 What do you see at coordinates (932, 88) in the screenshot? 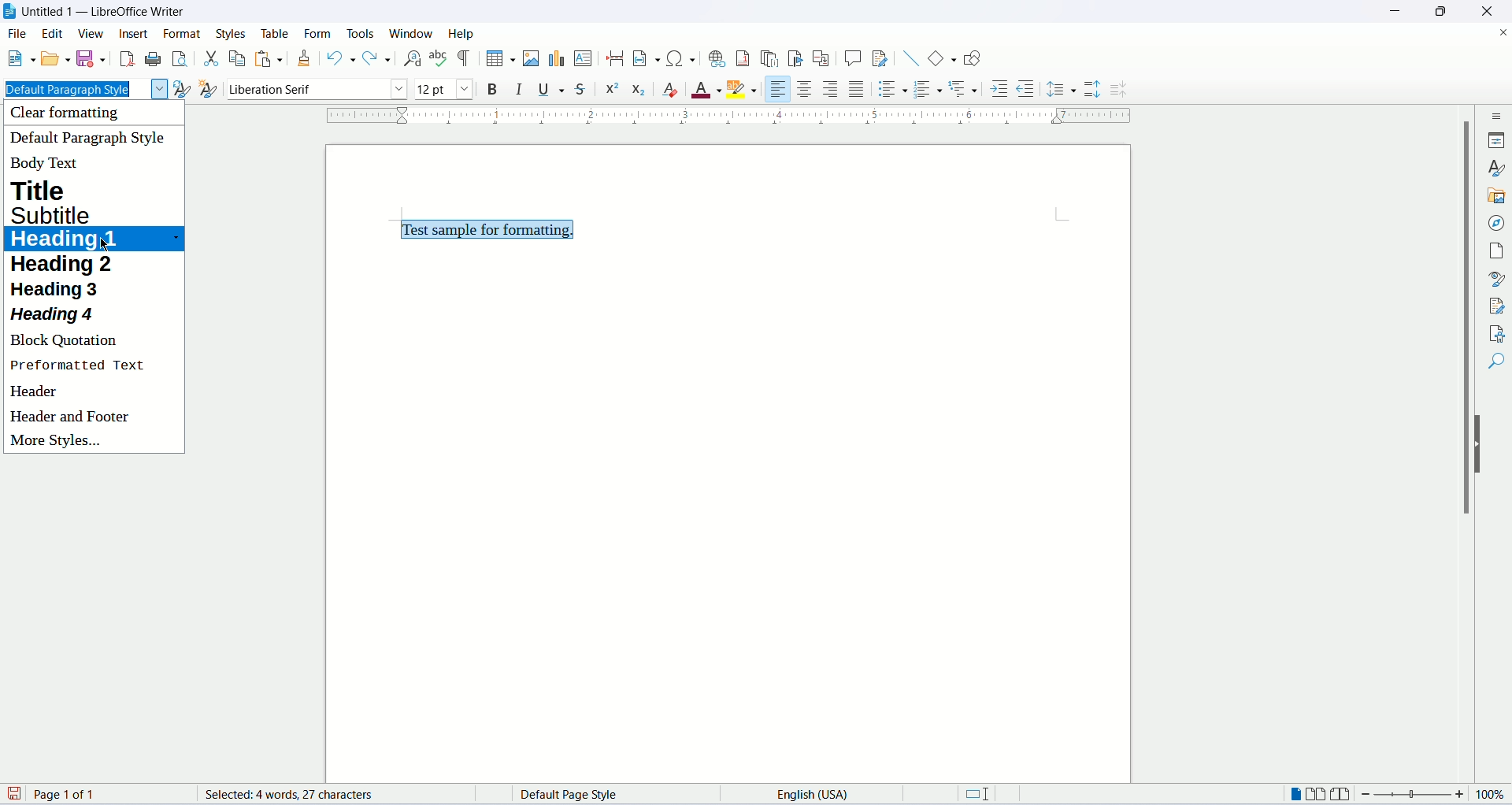
I see `ordered list` at bounding box center [932, 88].